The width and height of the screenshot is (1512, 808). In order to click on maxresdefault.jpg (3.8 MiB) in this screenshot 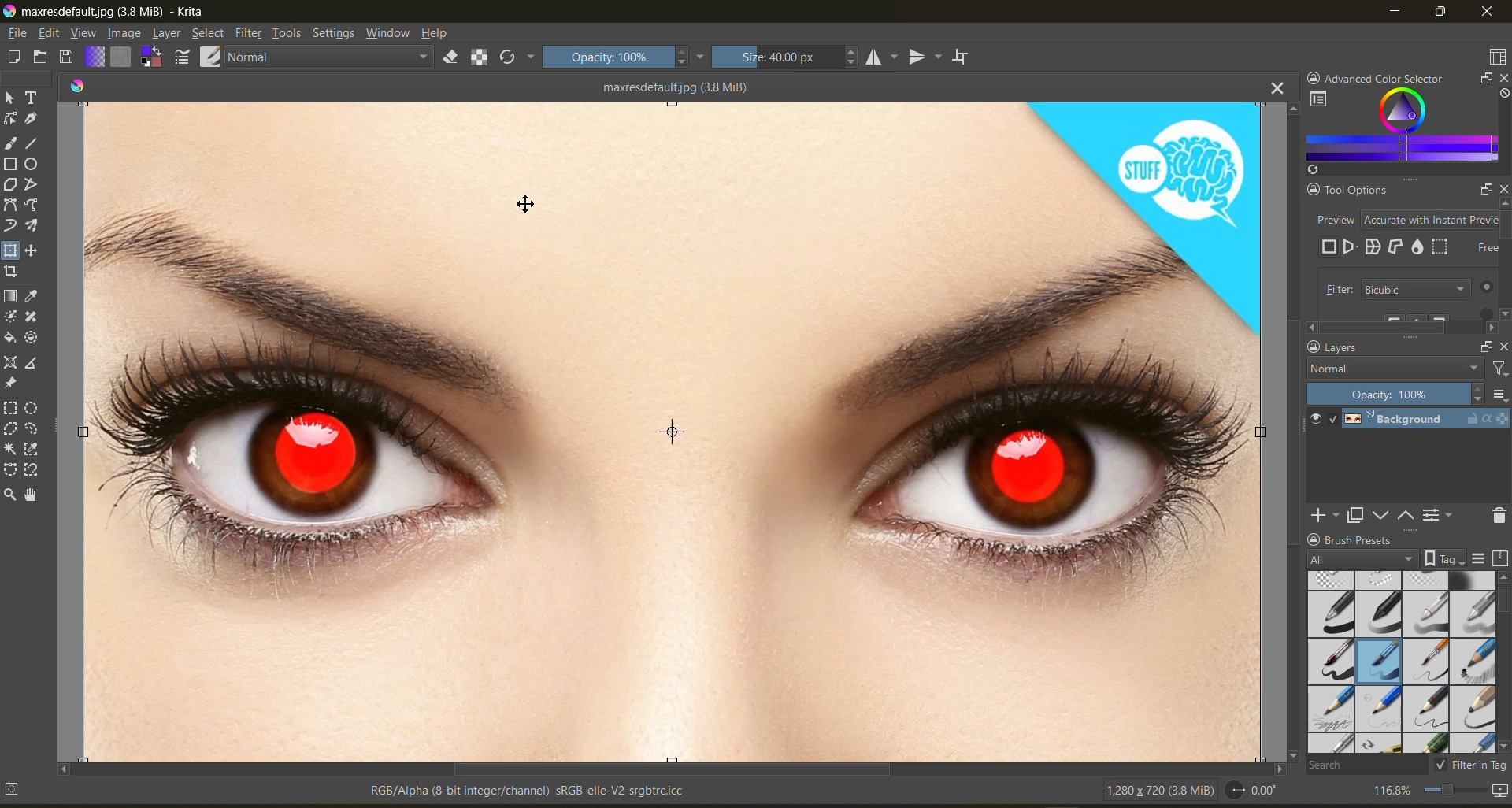, I will do `click(671, 86)`.